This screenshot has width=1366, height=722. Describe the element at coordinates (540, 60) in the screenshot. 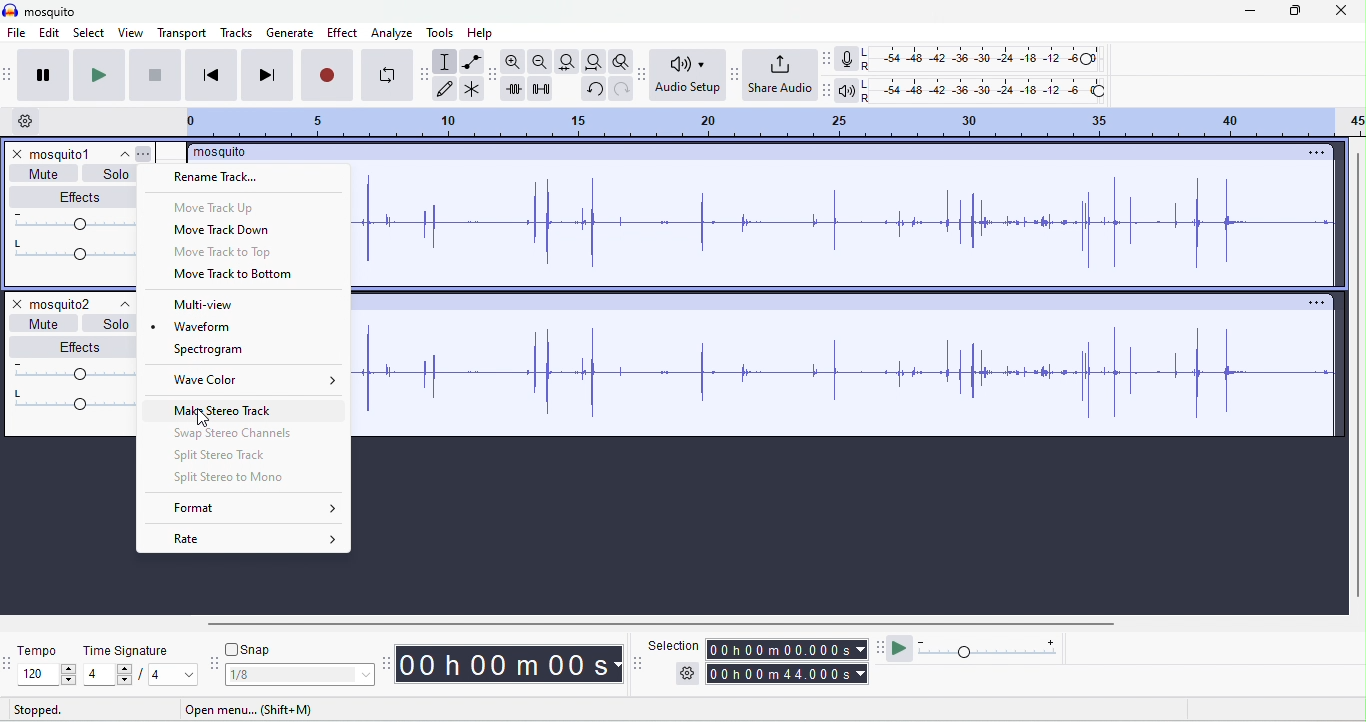

I see `zoom out` at that location.